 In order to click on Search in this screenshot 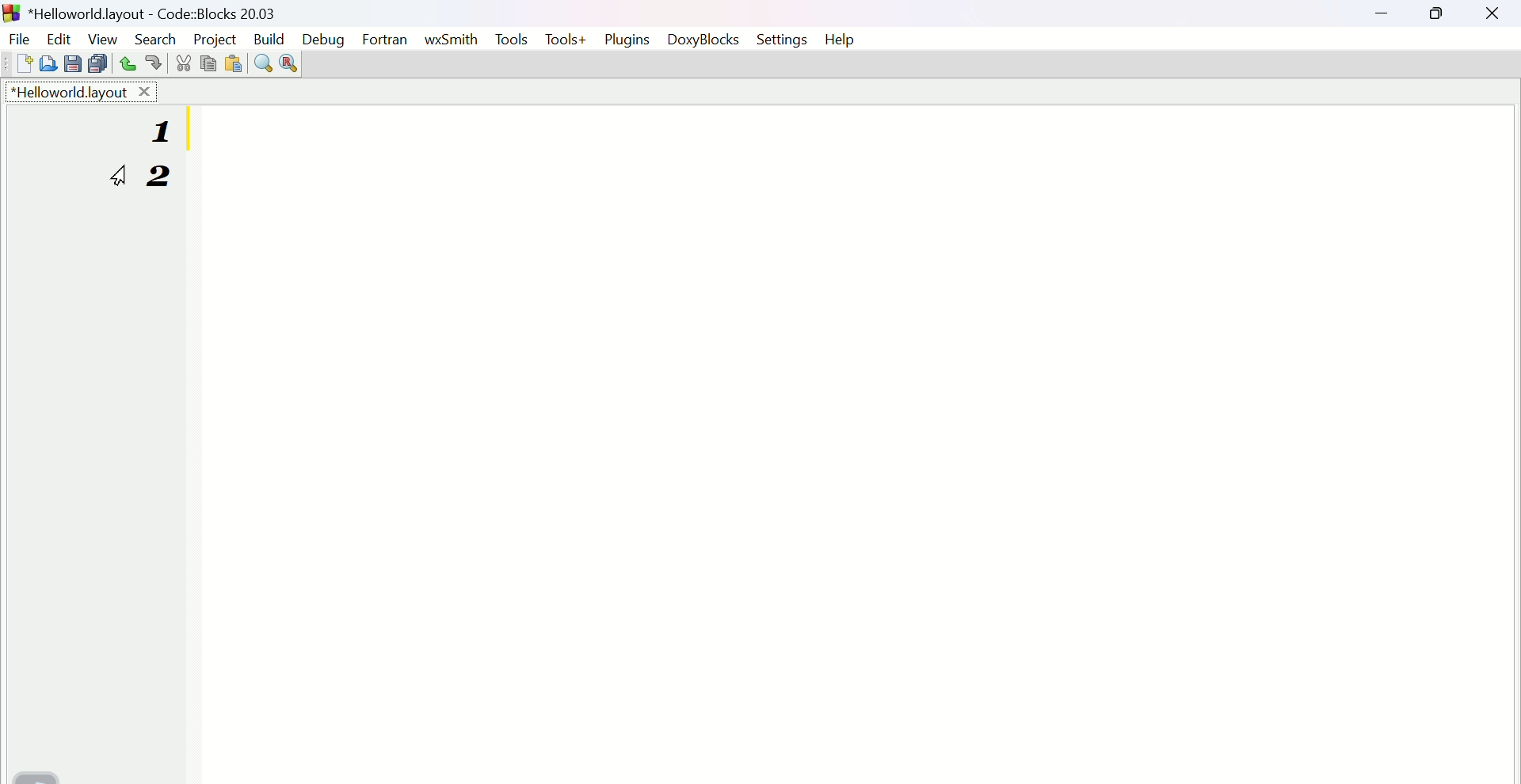, I will do `click(154, 38)`.